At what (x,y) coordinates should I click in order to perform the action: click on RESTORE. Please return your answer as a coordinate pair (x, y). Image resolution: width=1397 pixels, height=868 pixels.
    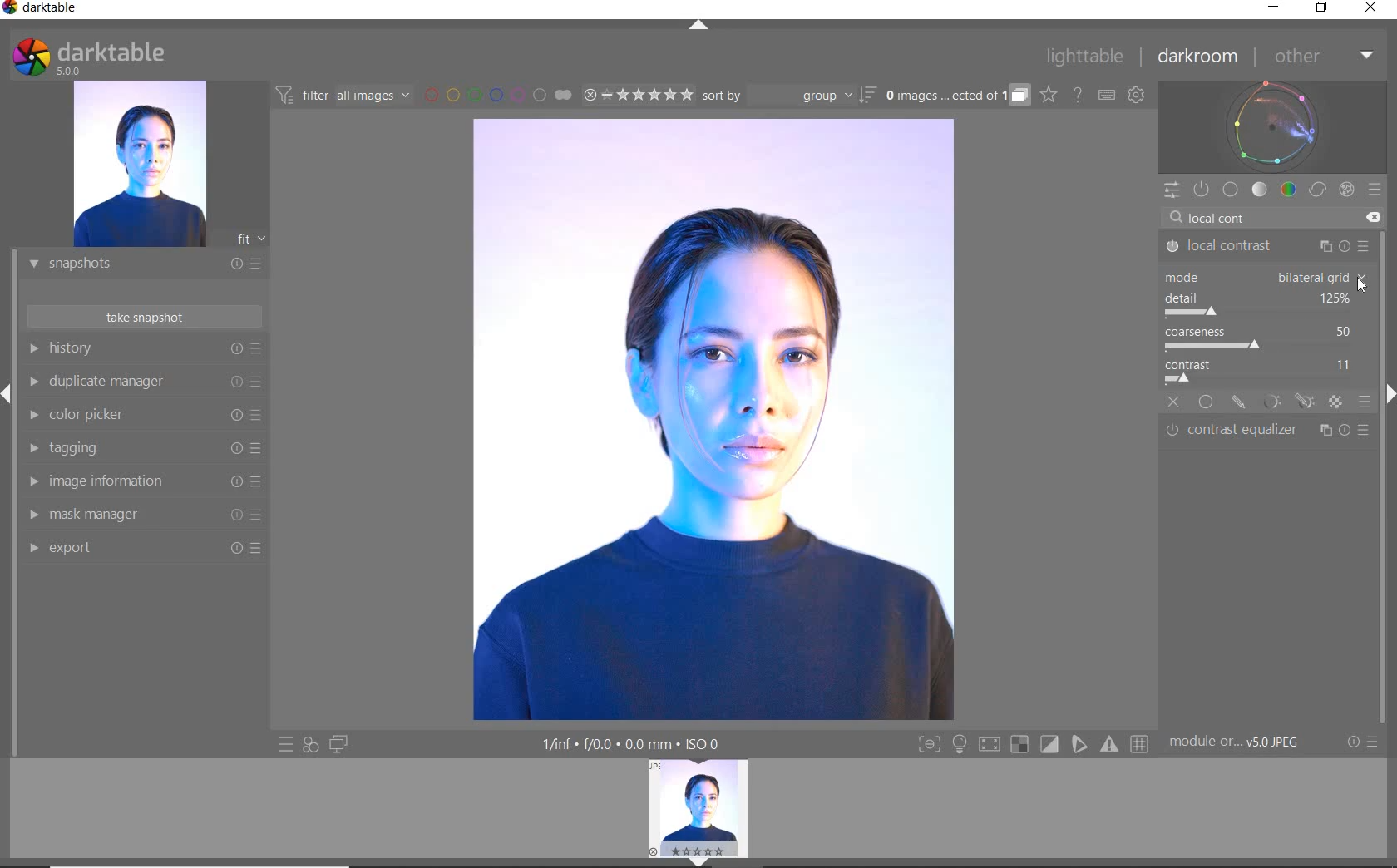
    Looking at the image, I should click on (1325, 8).